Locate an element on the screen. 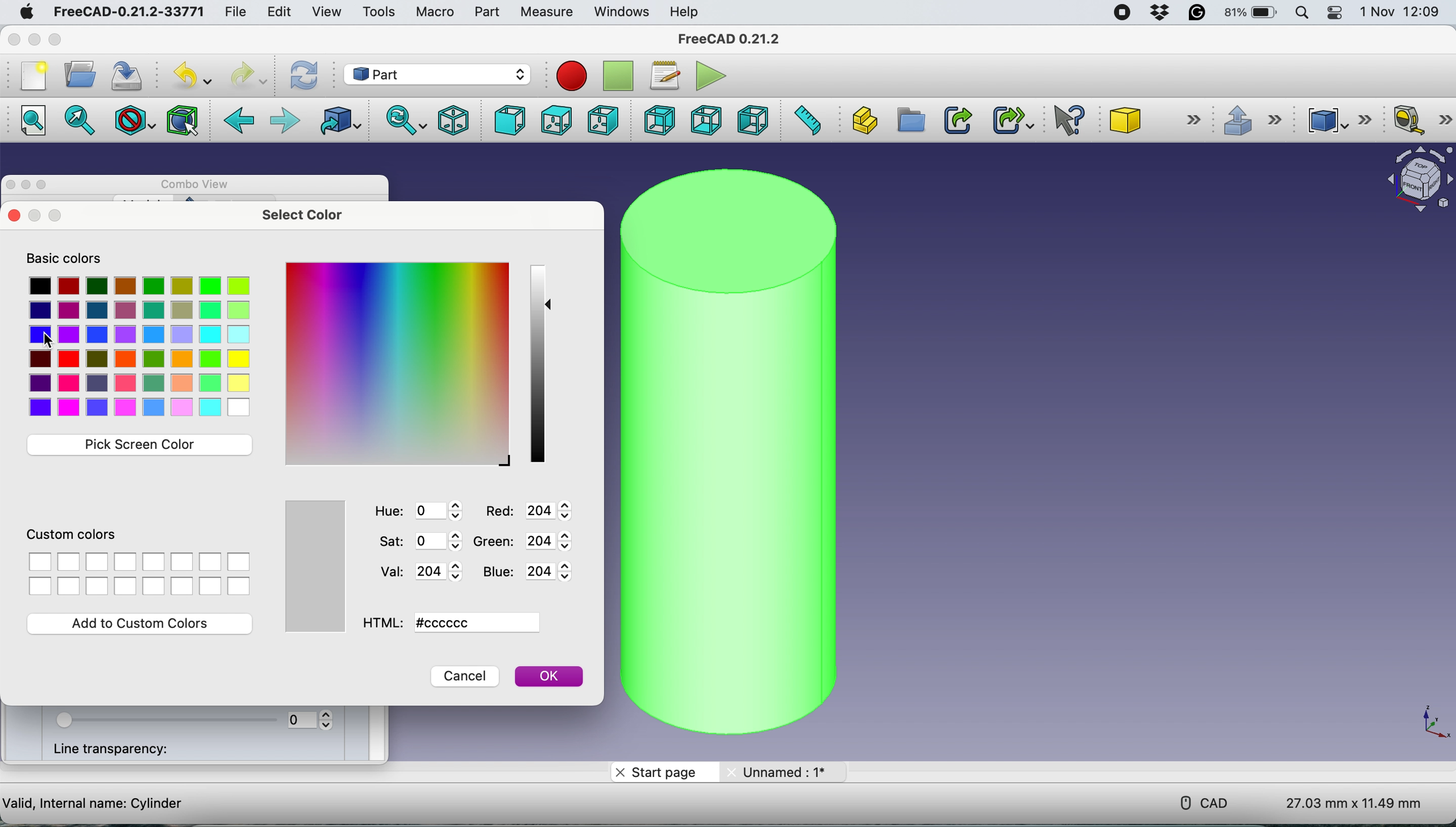 This screenshot has height=827, width=1456. fit all is located at coordinates (30, 124).